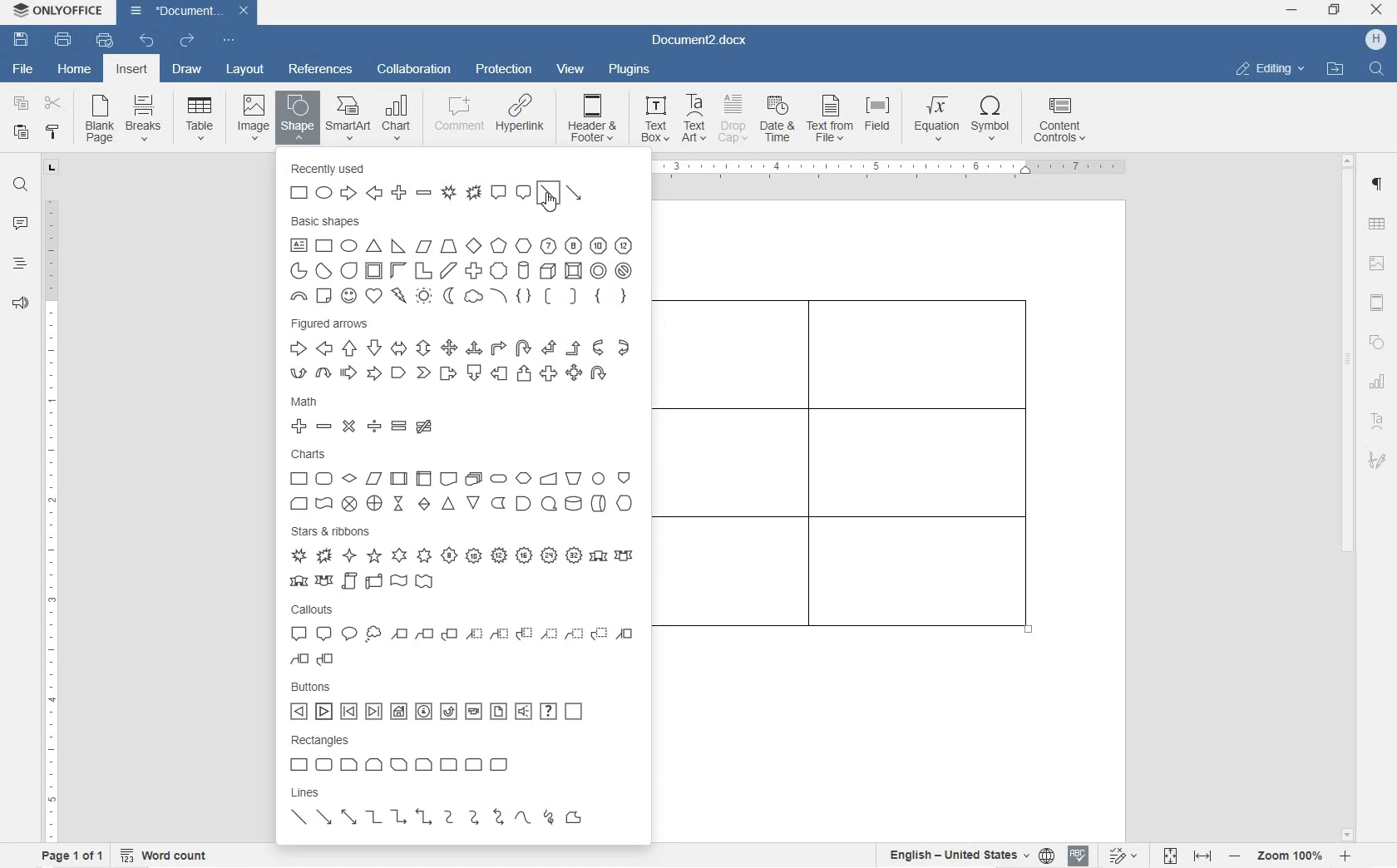 The width and height of the screenshot is (1397, 868). What do you see at coordinates (704, 42) in the screenshot?
I see `Document3.docx` at bounding box center [704, 42].